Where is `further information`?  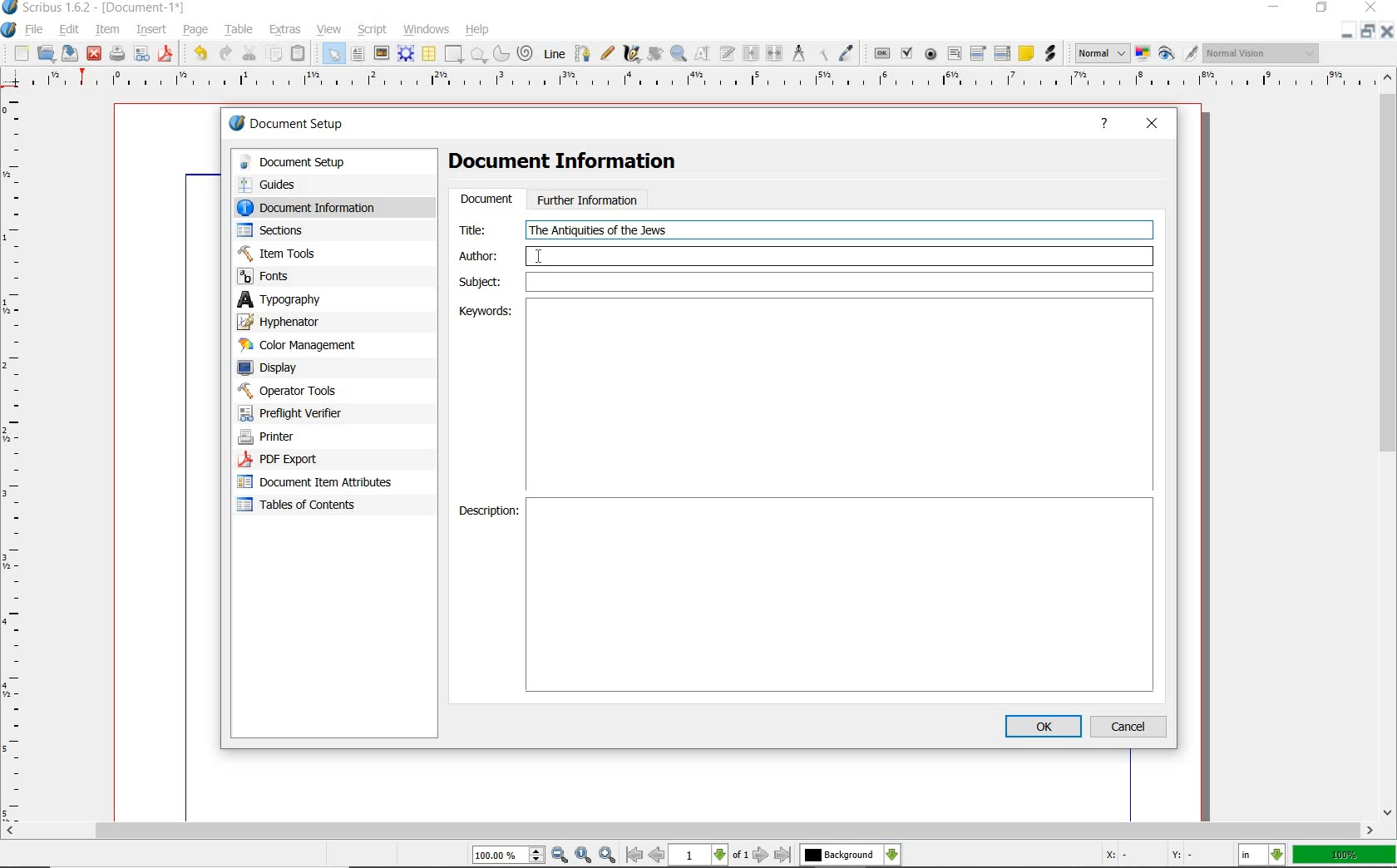
further information is located at coordinates (588, 199).